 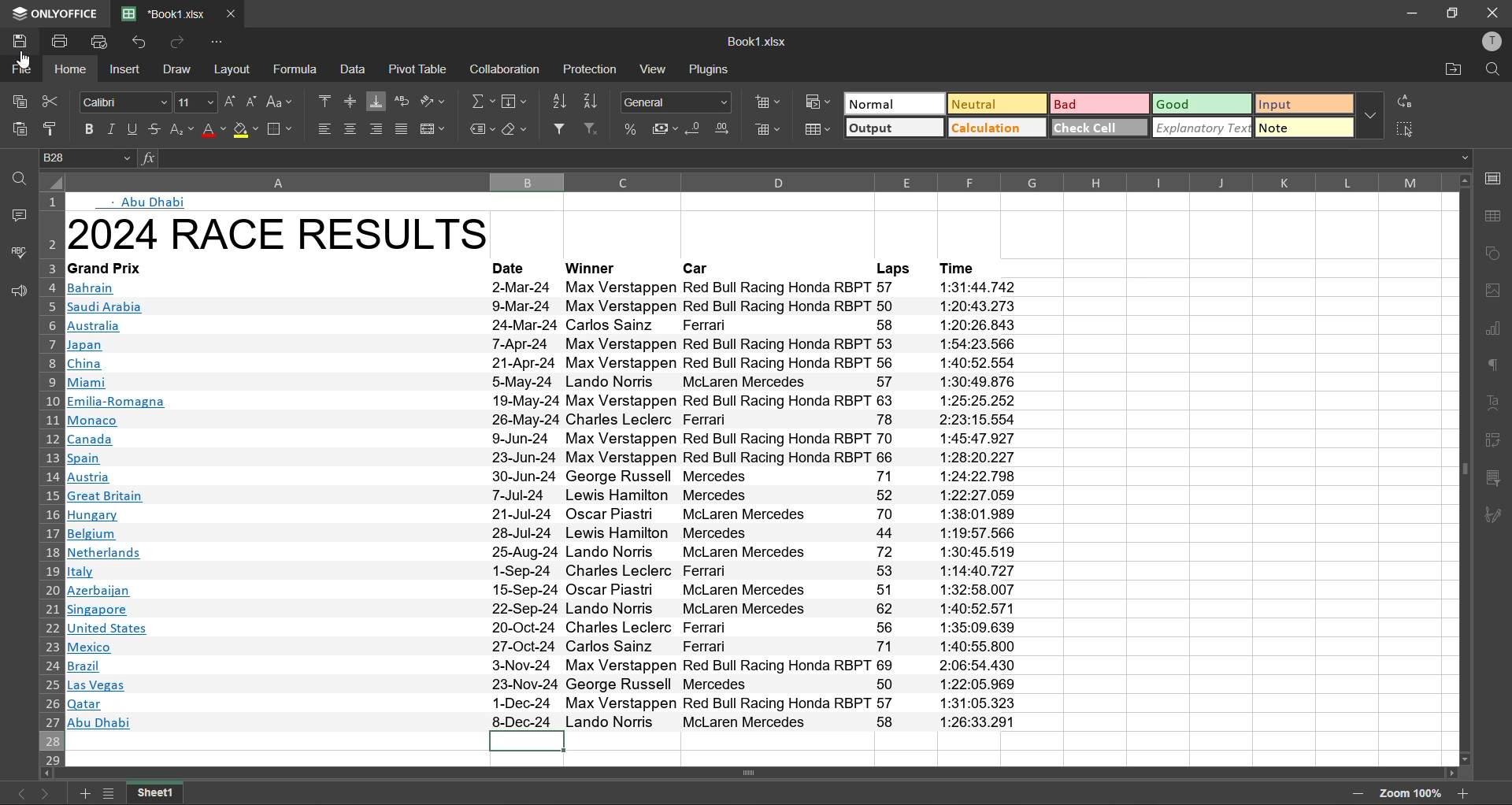 I want to click on select all, so click(x=1411, y=131).